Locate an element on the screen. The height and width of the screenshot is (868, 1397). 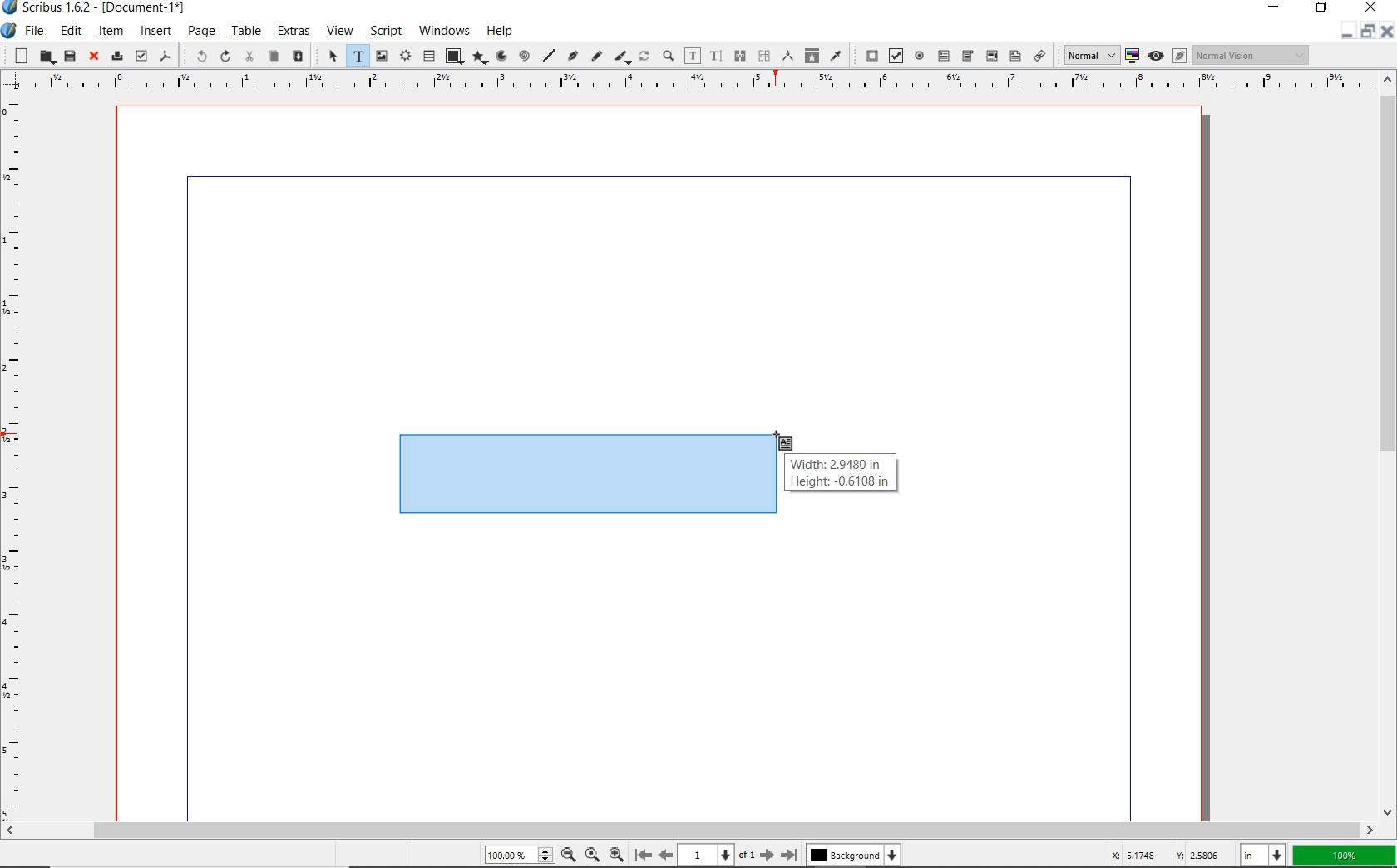
First page is located at coordinates (642, 856).